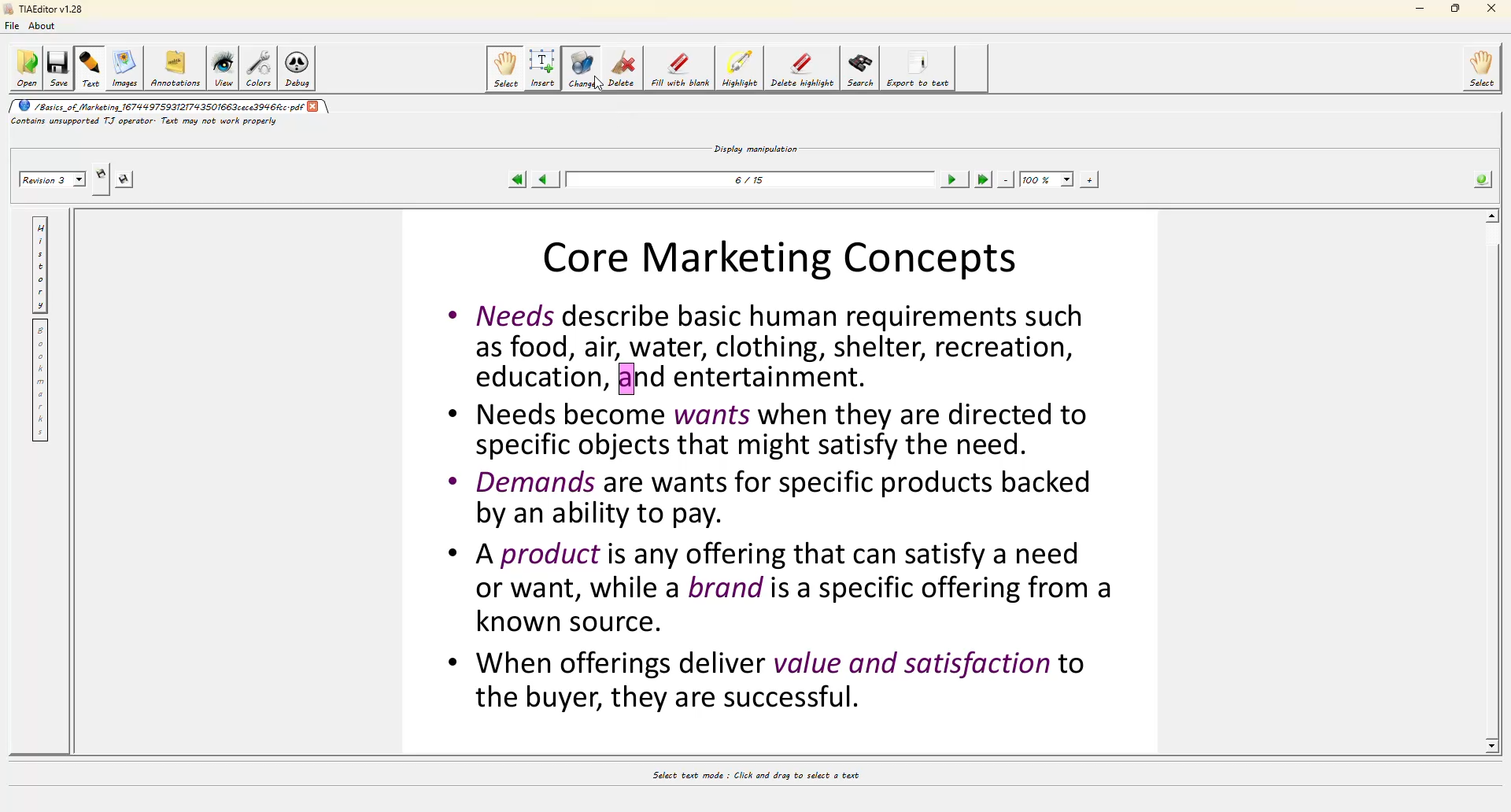 This screenshot has width=1511, height=812. Describe the element at coordinates (42, 266) in the screenshot. I see `history` at that location.